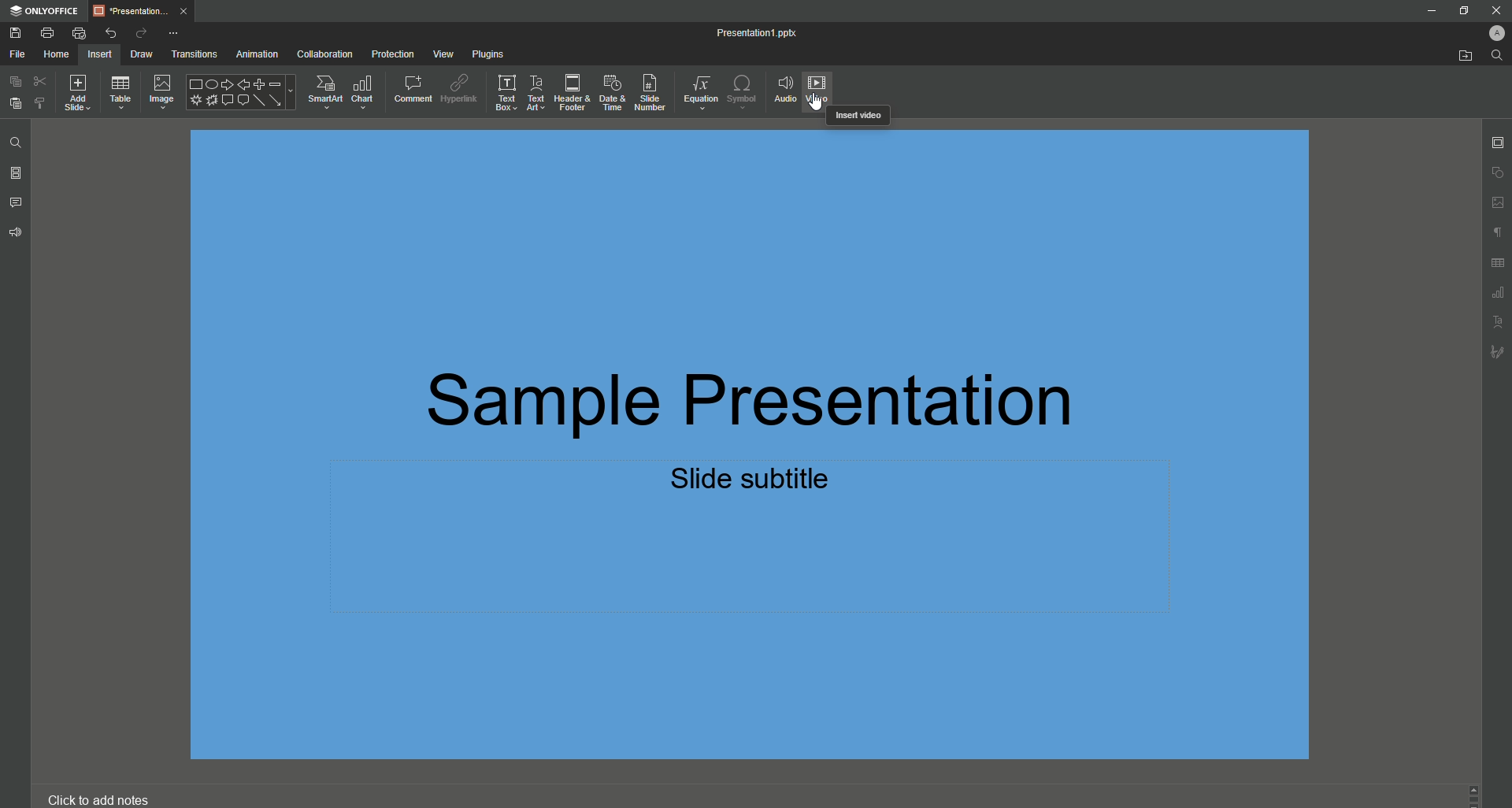  What do you see at coordinates (363, 91) in the screenshot?
I see `Chart` at bounding box center [363, 91].